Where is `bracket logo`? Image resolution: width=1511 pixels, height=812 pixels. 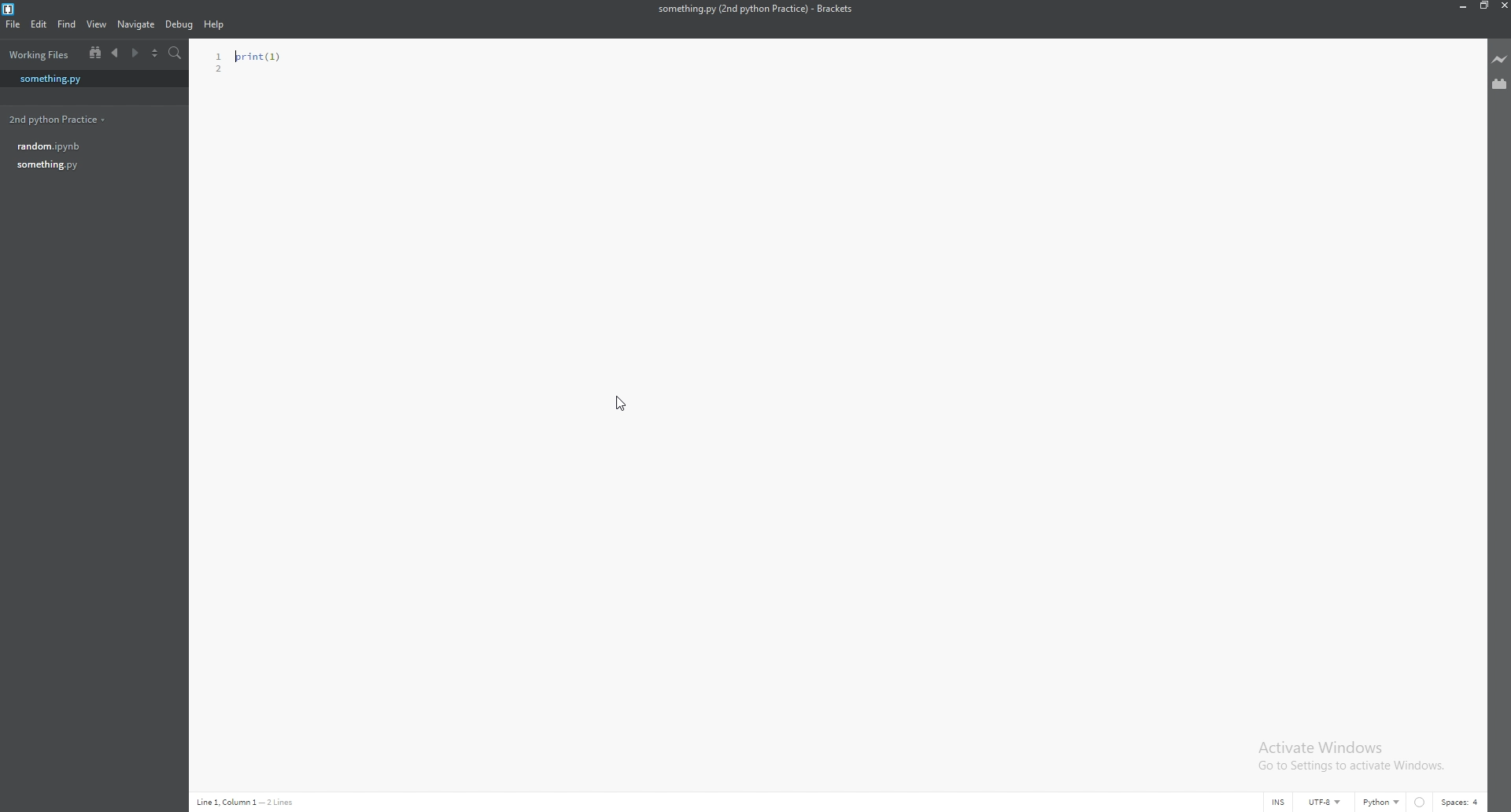
bracket logo is located at coordinates (14, 9).